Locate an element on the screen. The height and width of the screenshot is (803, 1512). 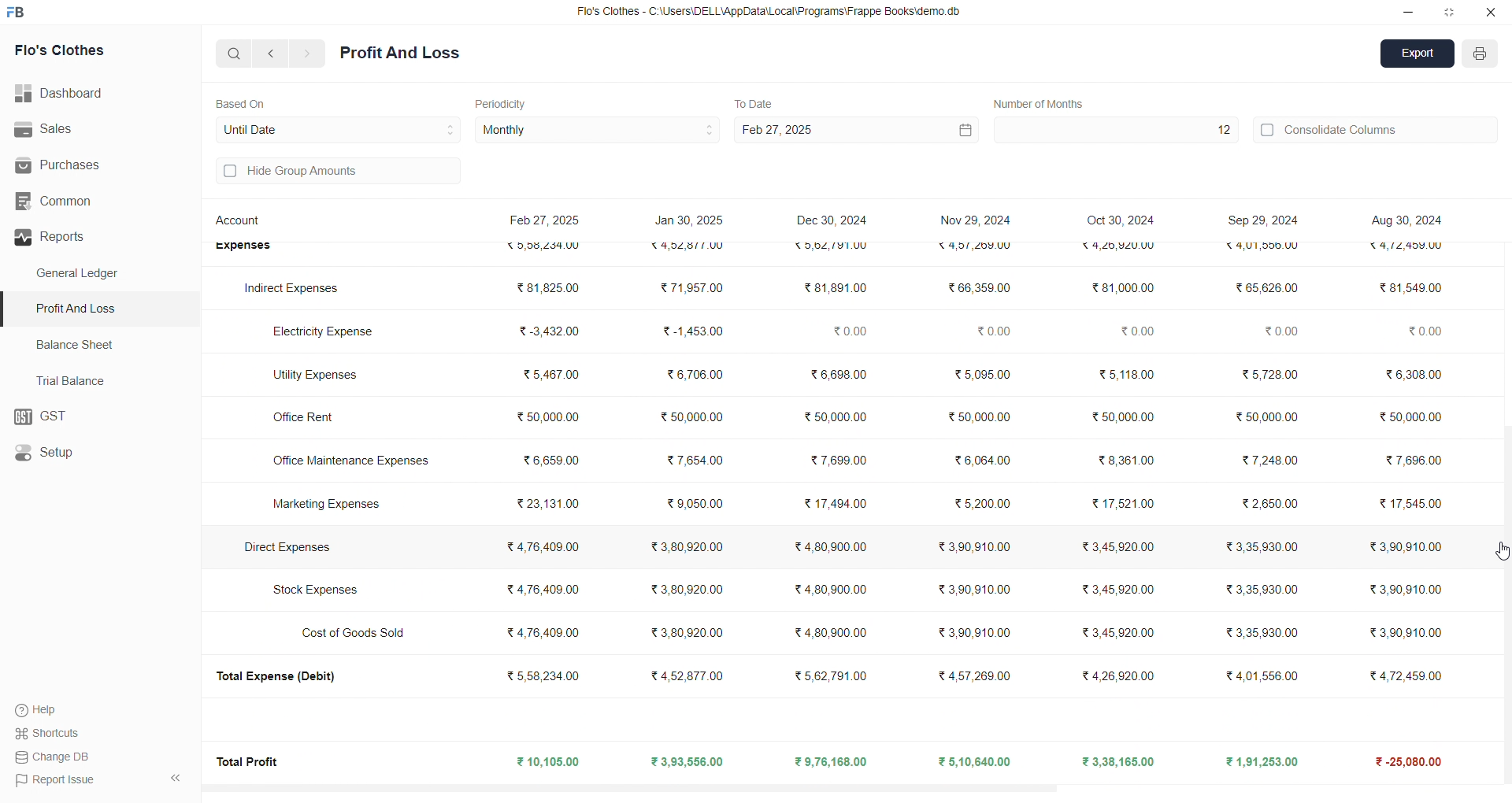
₹3,90,910.00 is located at coordinates (1403, 633).